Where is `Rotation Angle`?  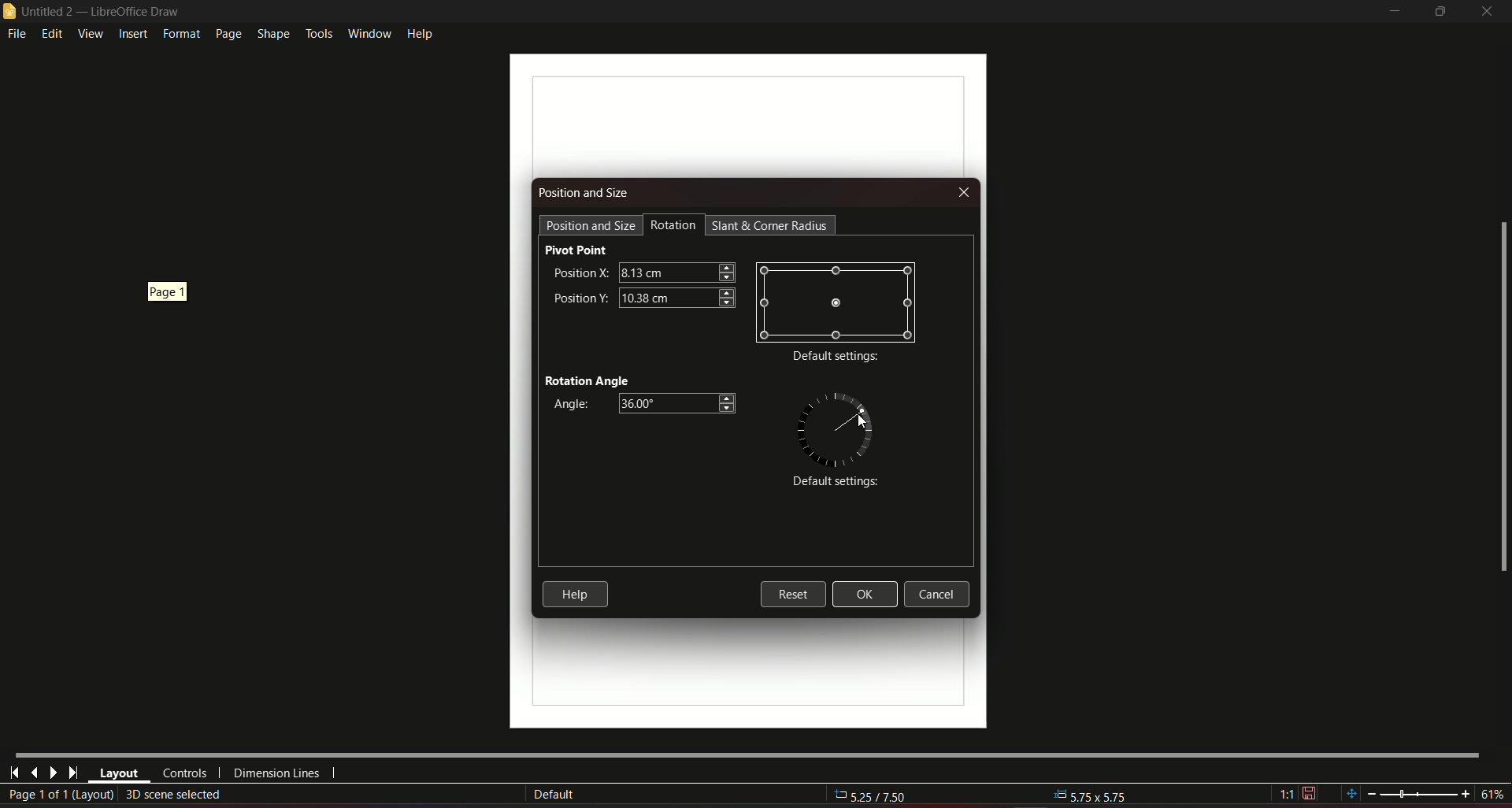
Rotation Angle is located at coordinates (587, 379).